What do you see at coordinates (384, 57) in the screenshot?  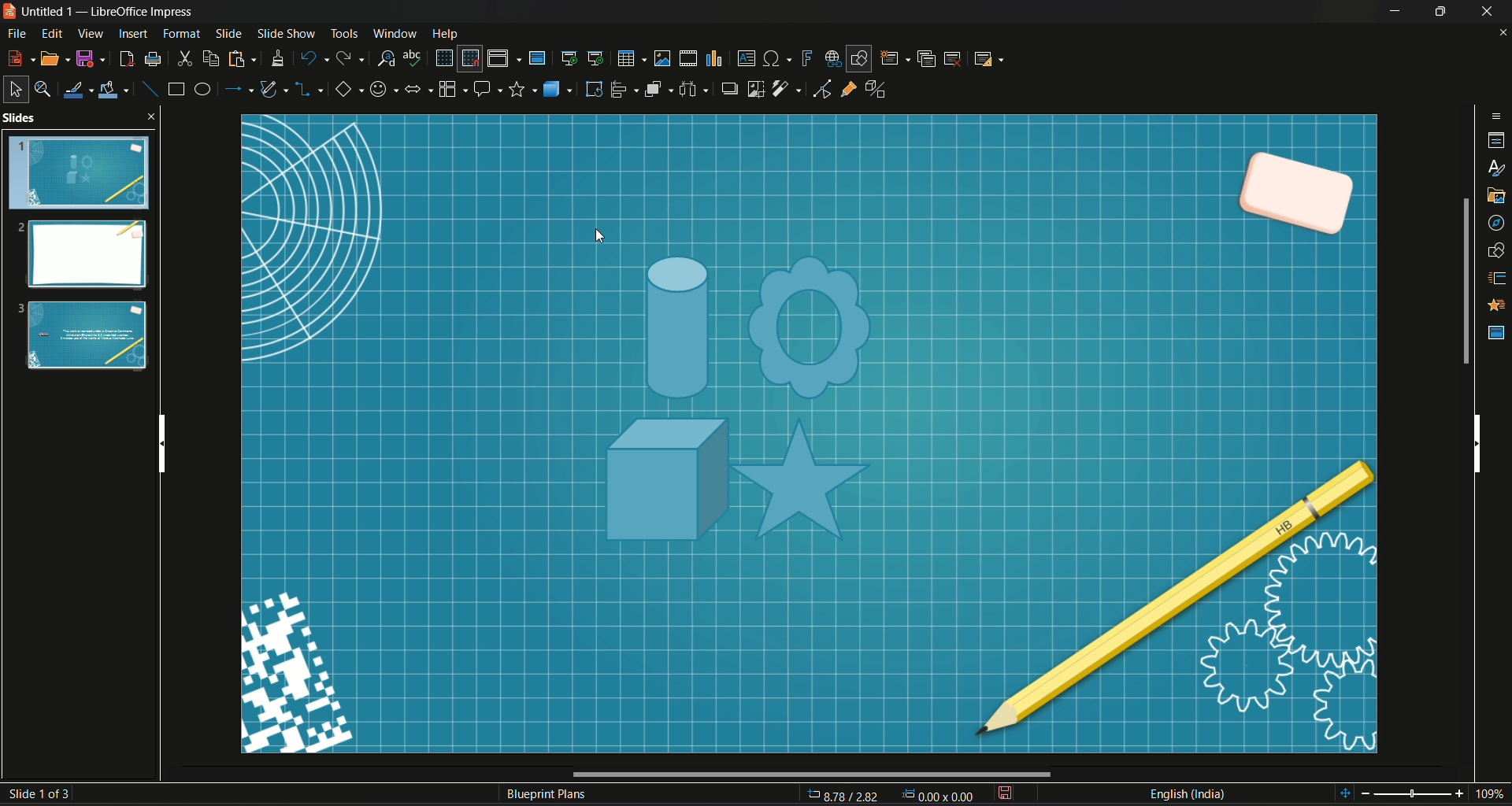 I see `find and replace` at bounding box center [384, 57].